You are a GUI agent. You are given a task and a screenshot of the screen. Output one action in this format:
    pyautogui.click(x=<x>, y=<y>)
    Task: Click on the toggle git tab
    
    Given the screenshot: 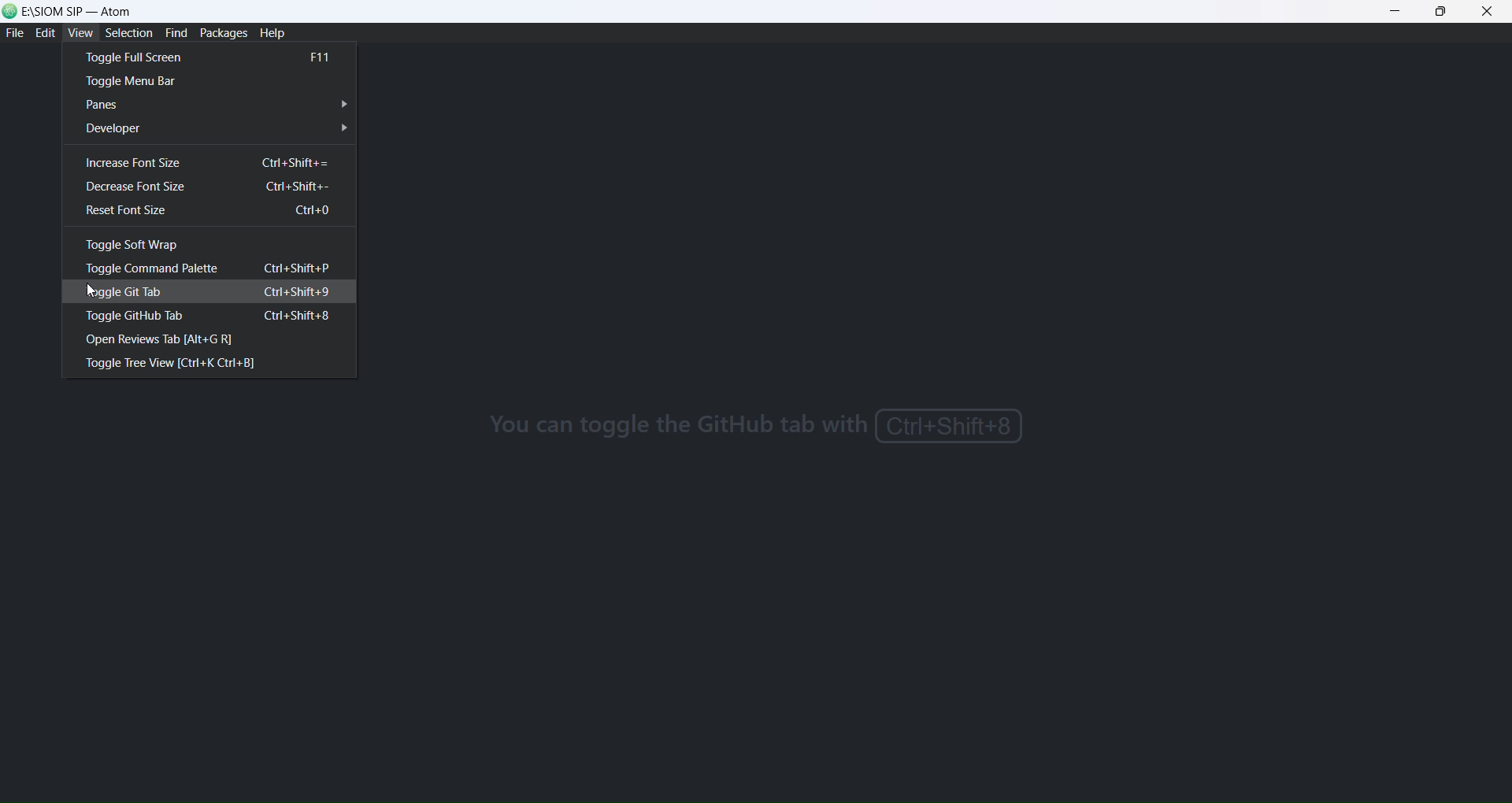 What is the action you would take?
    pyautogui.click(x=209, y=292)
    